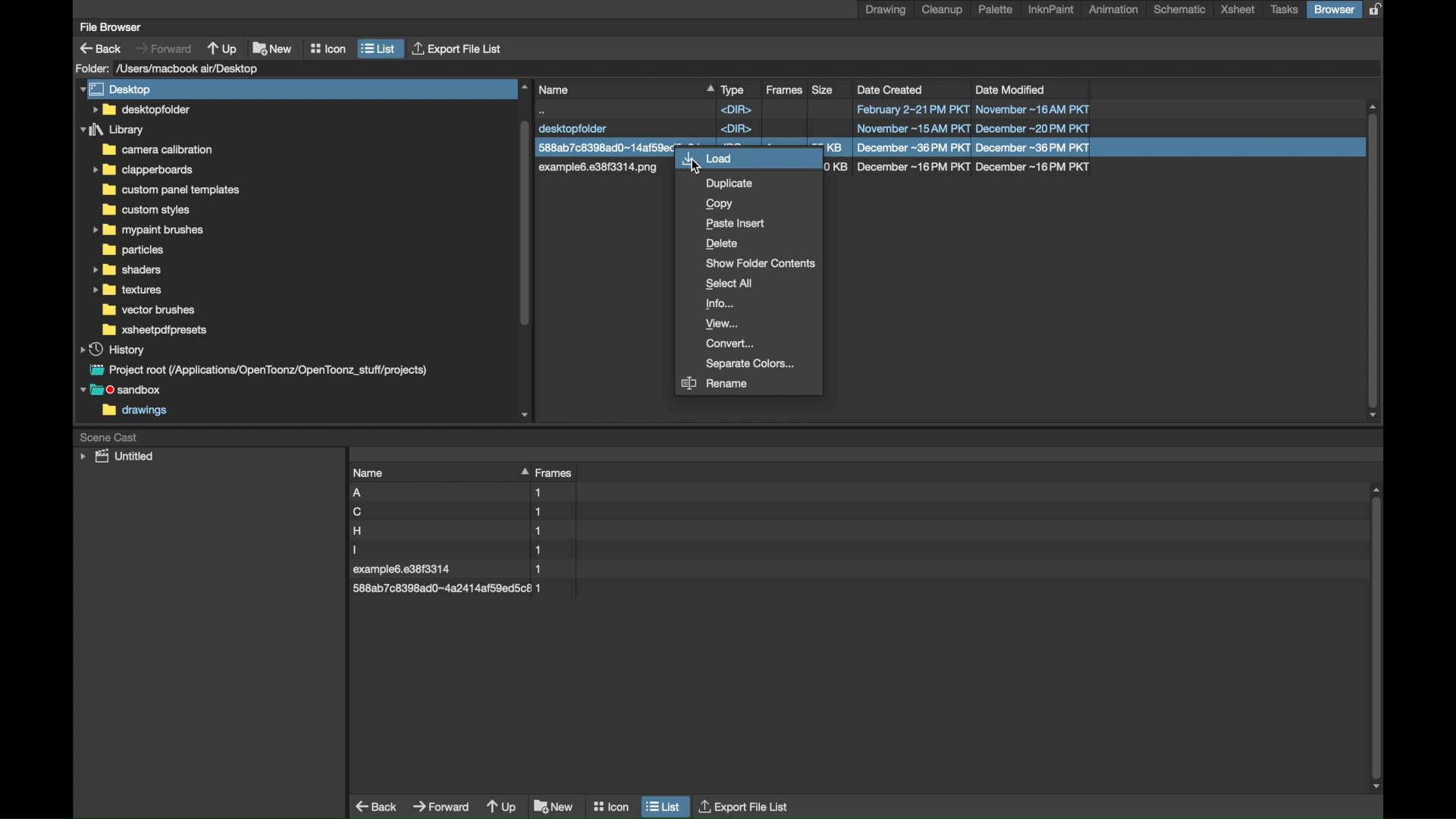 The image size is (1456, 819). Describe the element at coordinates (824, 89) in the screenshot. I see `size` at that location.